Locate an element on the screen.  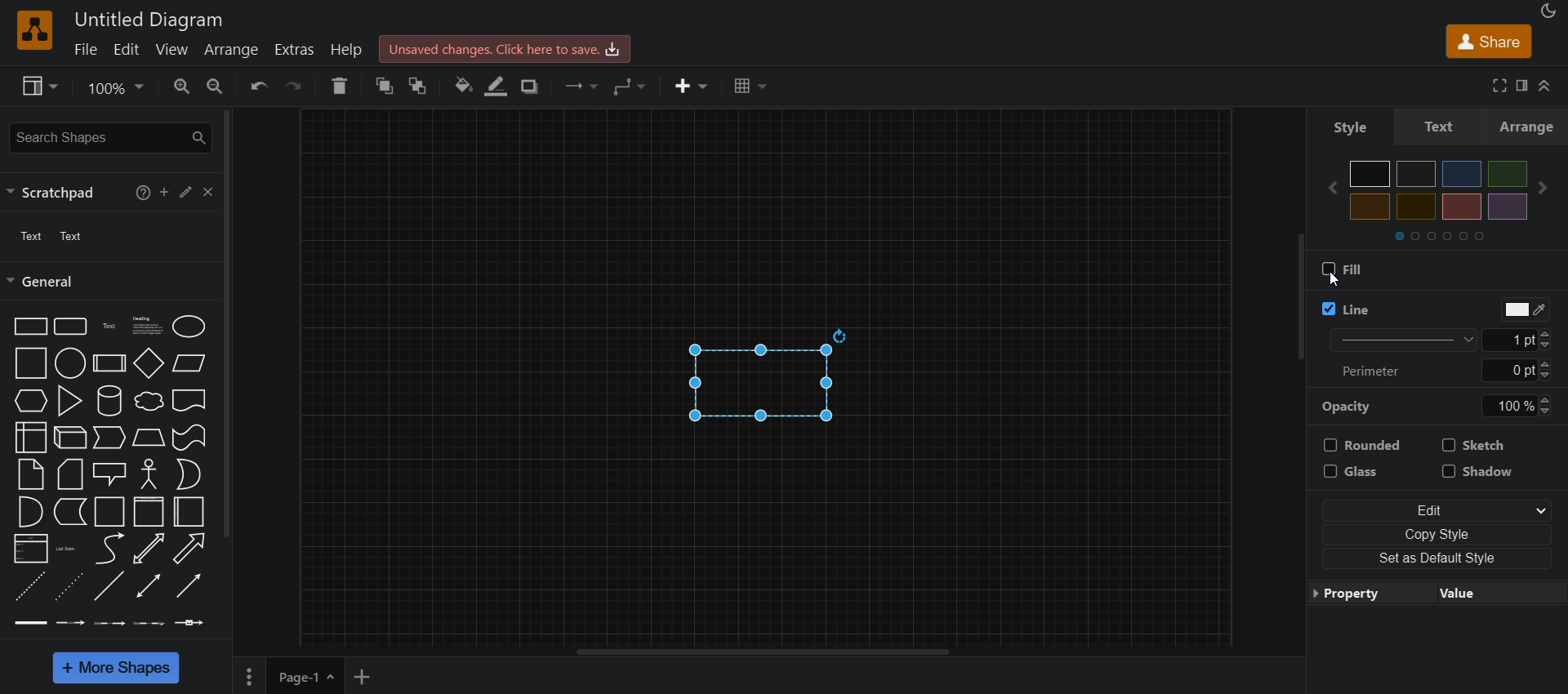
fullscreen is located at coordinates (1497, 85).